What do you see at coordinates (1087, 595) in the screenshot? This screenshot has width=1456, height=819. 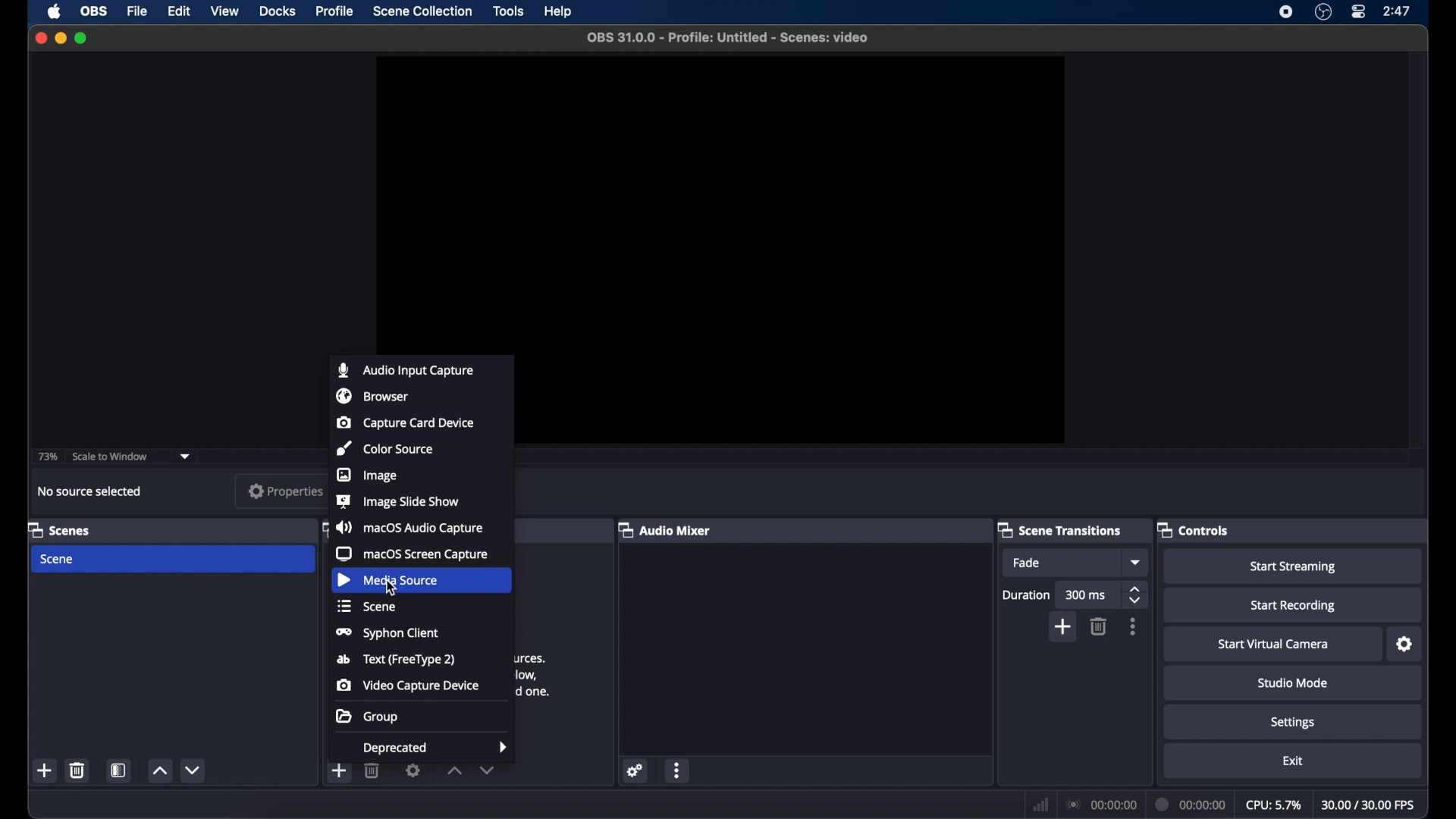 I see `300 ms` at bounding box center [1087, 595].